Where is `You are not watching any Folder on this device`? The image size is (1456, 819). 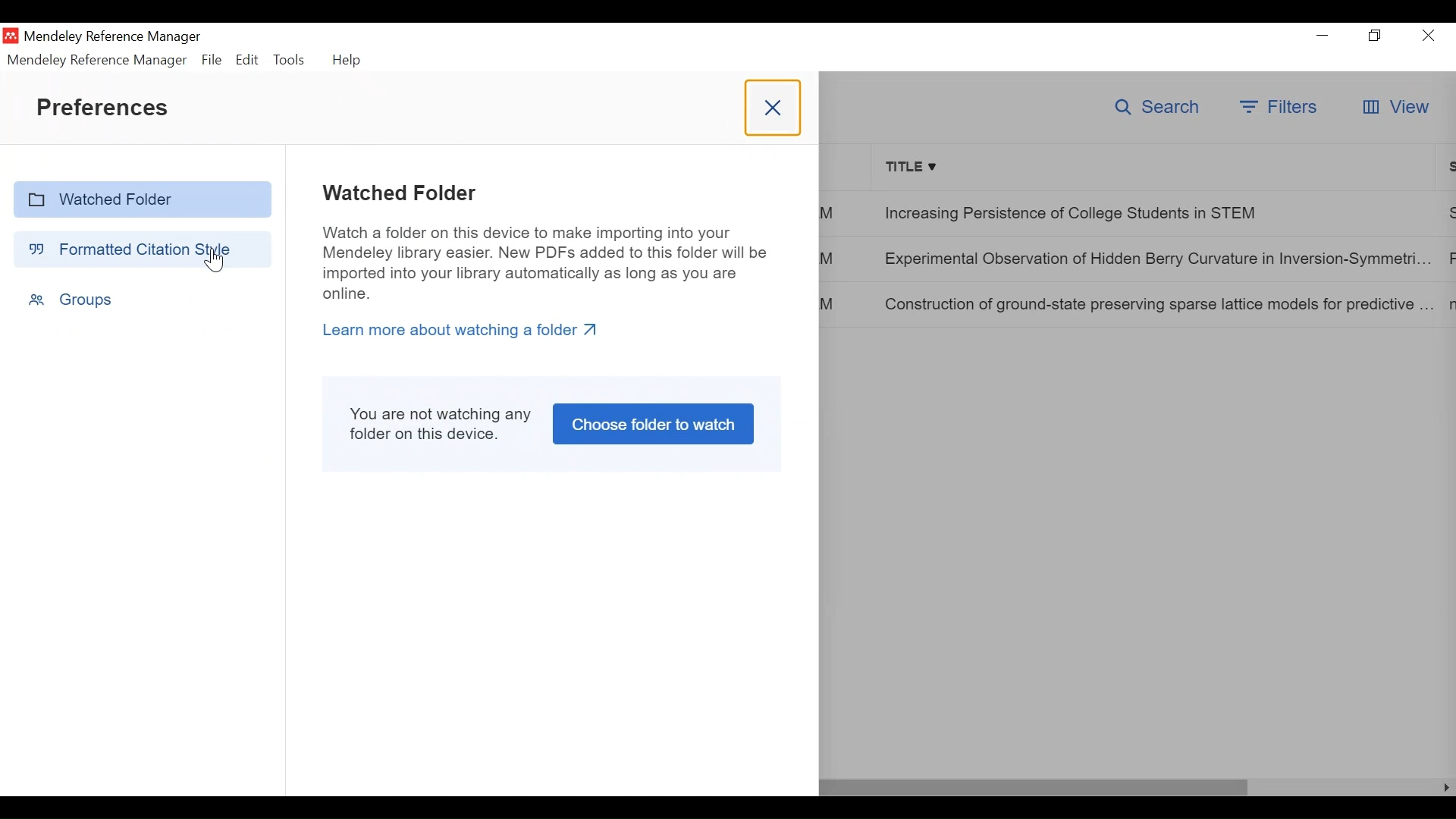 You are not watching any Folder on this device is located at coordinates (441, 424).